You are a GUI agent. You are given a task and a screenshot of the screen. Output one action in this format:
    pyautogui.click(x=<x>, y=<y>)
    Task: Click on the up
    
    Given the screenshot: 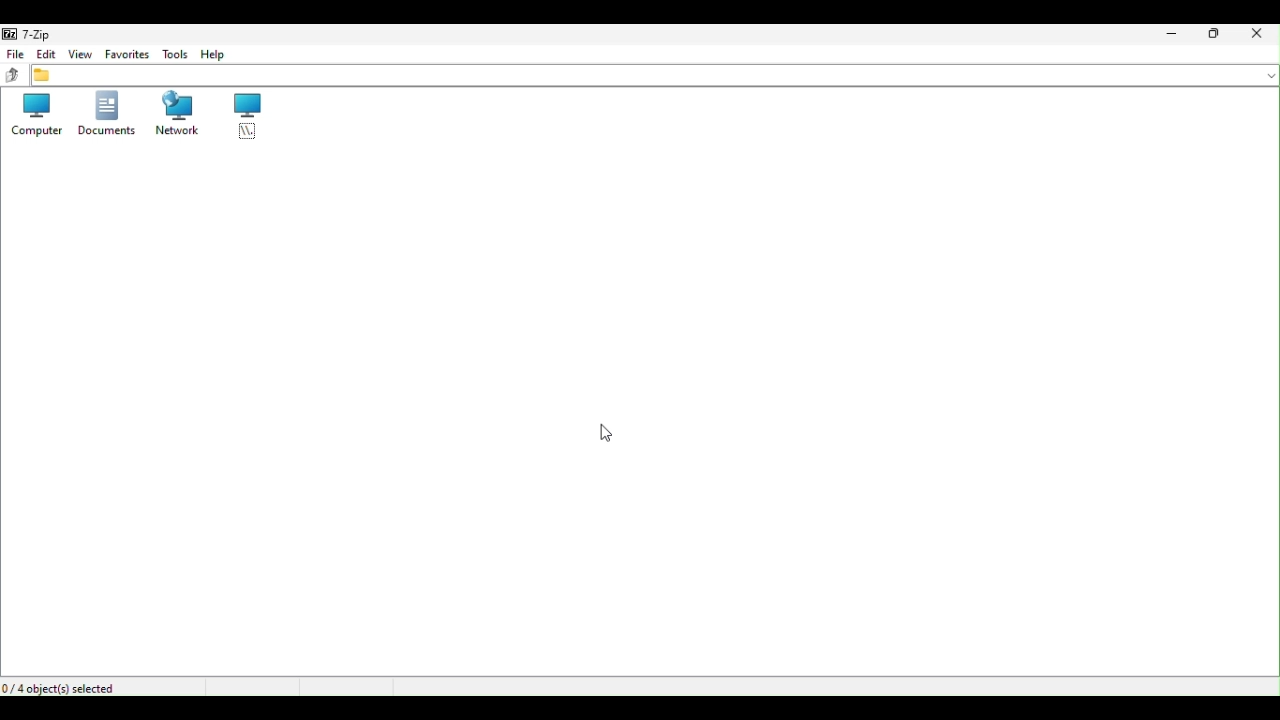 What is the action you would take?
    pyautogui.click(x=15, y=76)
    